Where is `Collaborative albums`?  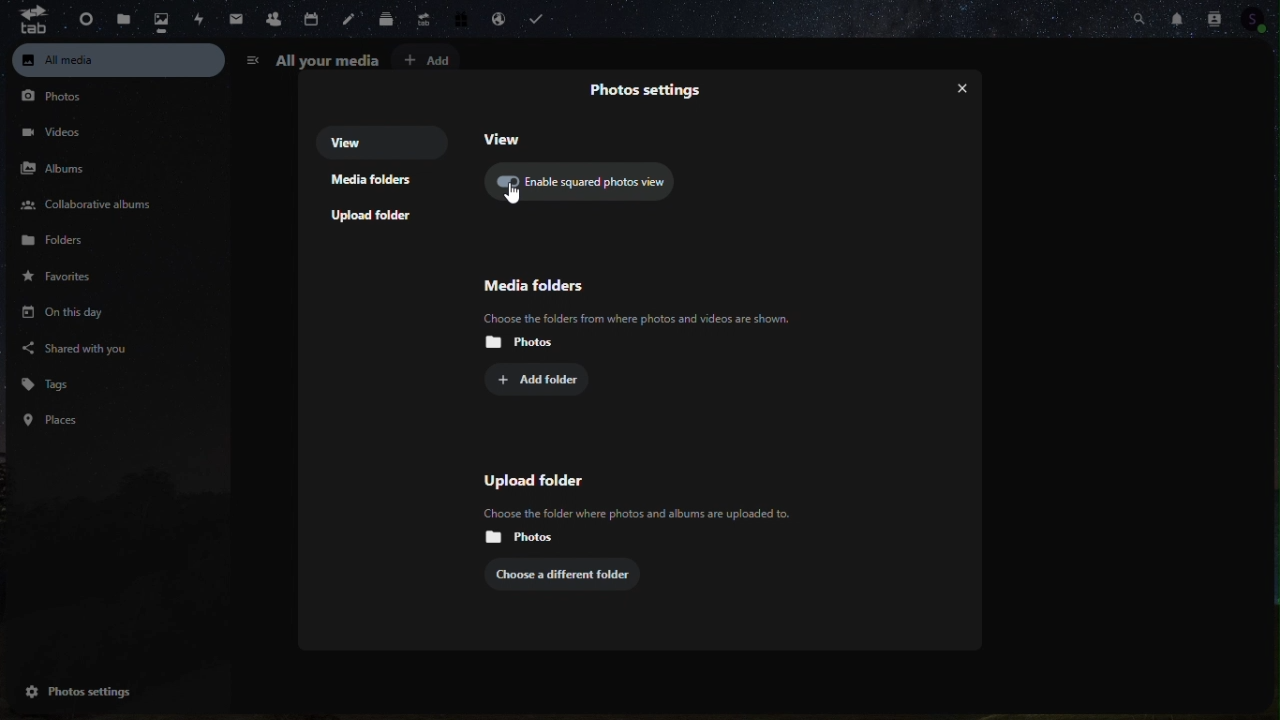 Collaborative albums is located at coordinates (86, 206).